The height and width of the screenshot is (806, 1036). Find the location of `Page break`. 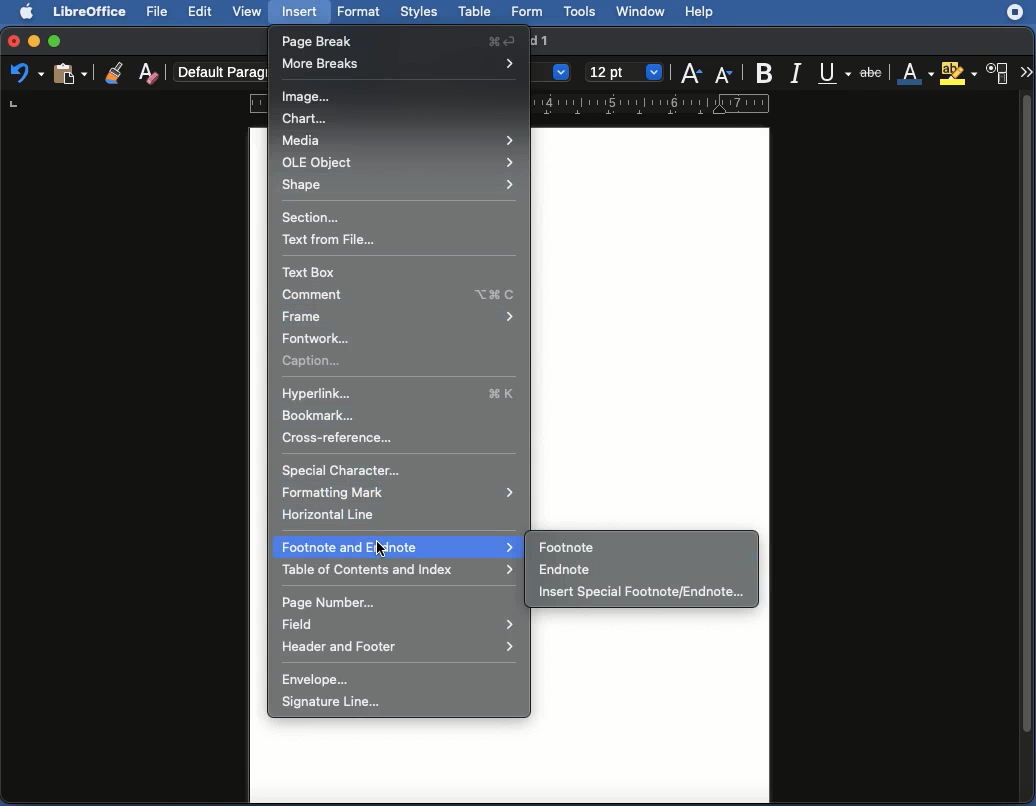

Page break is located at coordinates (401, 40).